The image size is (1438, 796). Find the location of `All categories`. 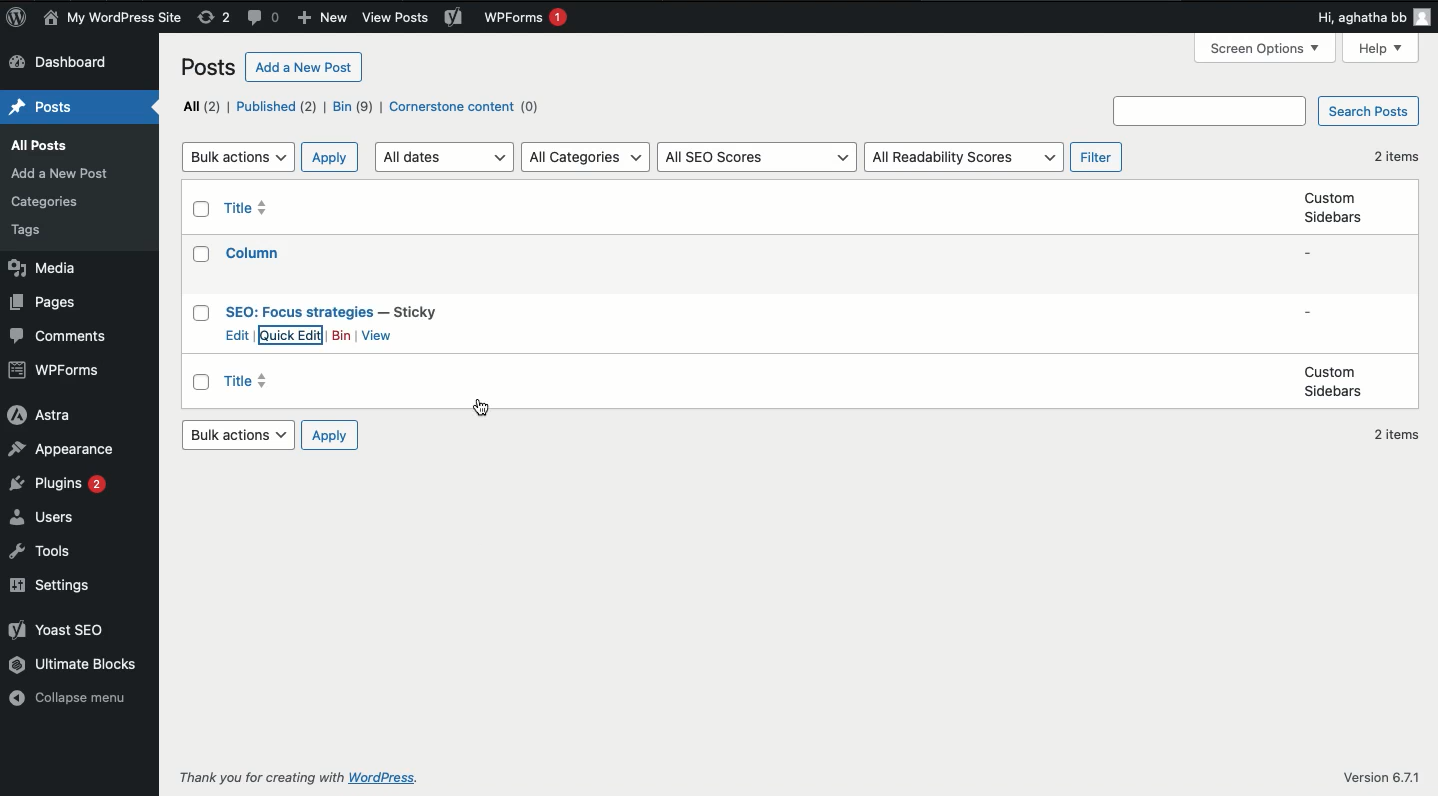

All categories is located at coordinates (587, 157).